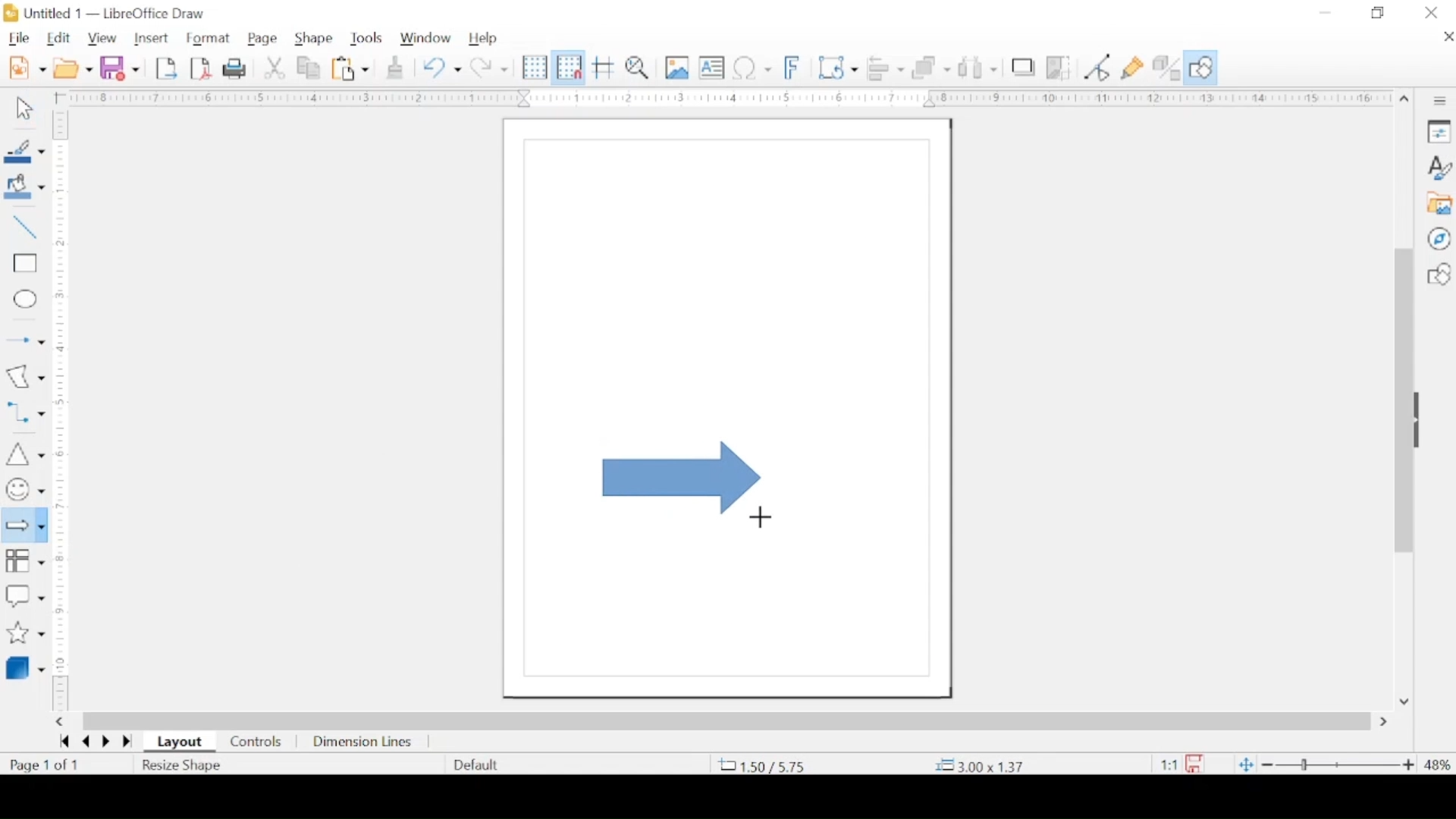 This screenshot has width=1456, height=819. Describe the element at coordinates (1439, 167) in the screenshot. I see `styles` at that location.